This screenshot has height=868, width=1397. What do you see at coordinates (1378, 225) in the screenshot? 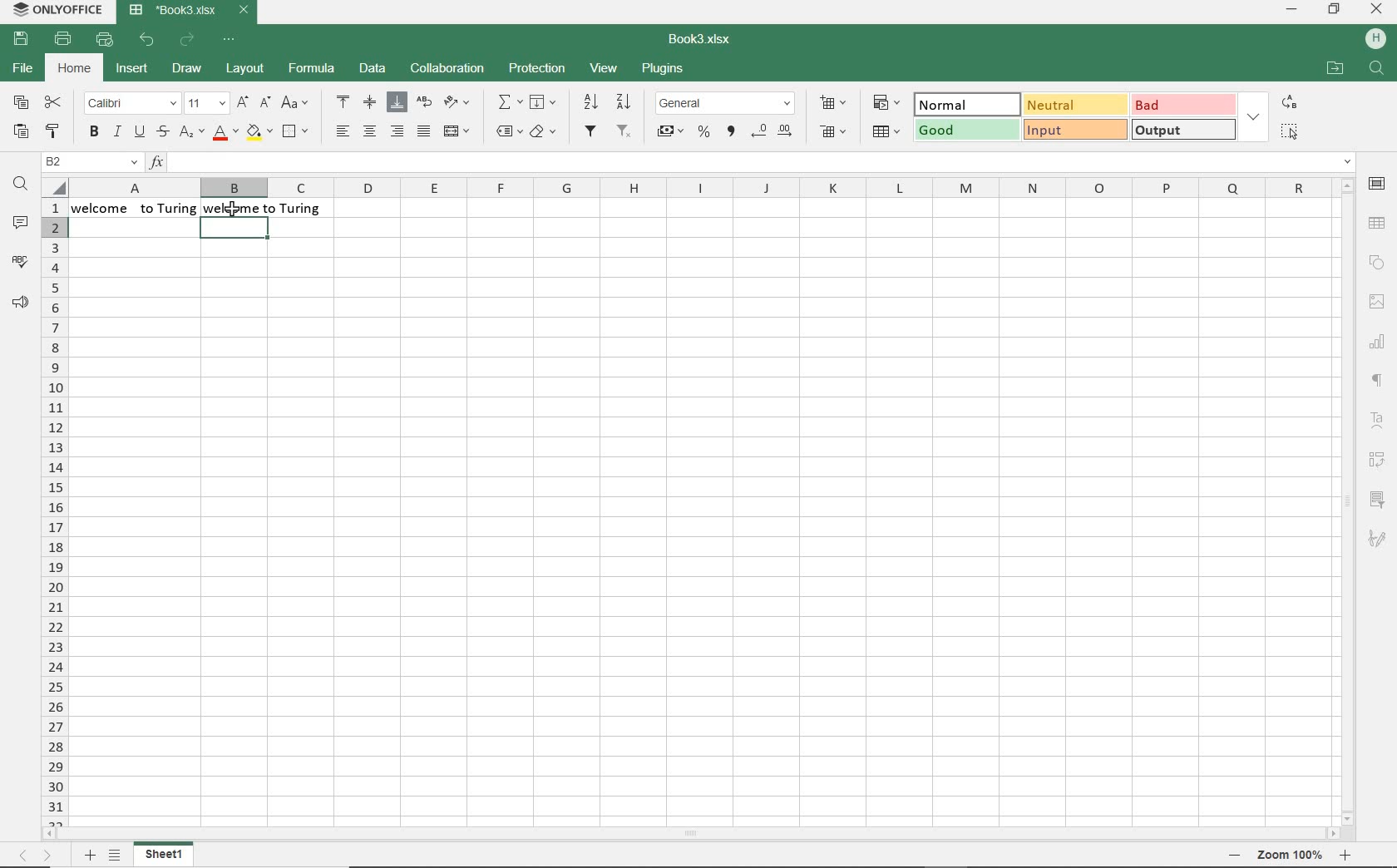
I see `table` at bounding box center [1378, 225].